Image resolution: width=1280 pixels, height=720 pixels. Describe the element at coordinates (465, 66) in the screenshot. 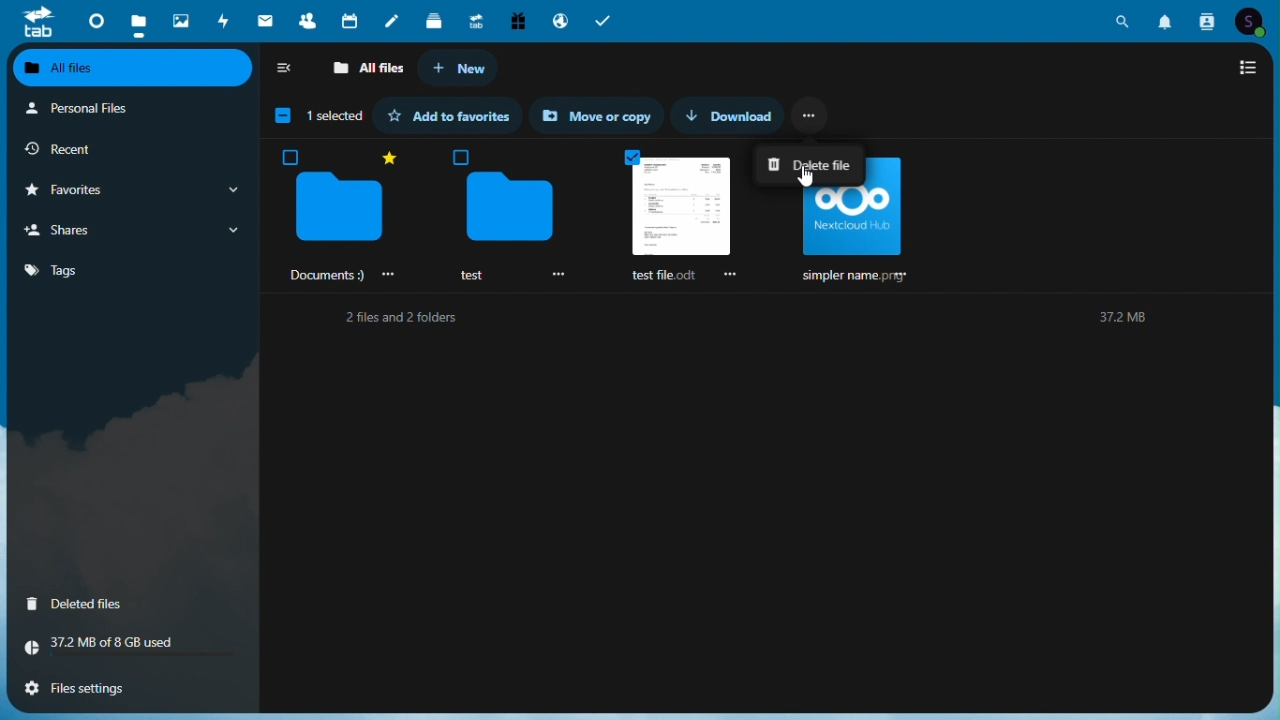

I see `New` at that location.